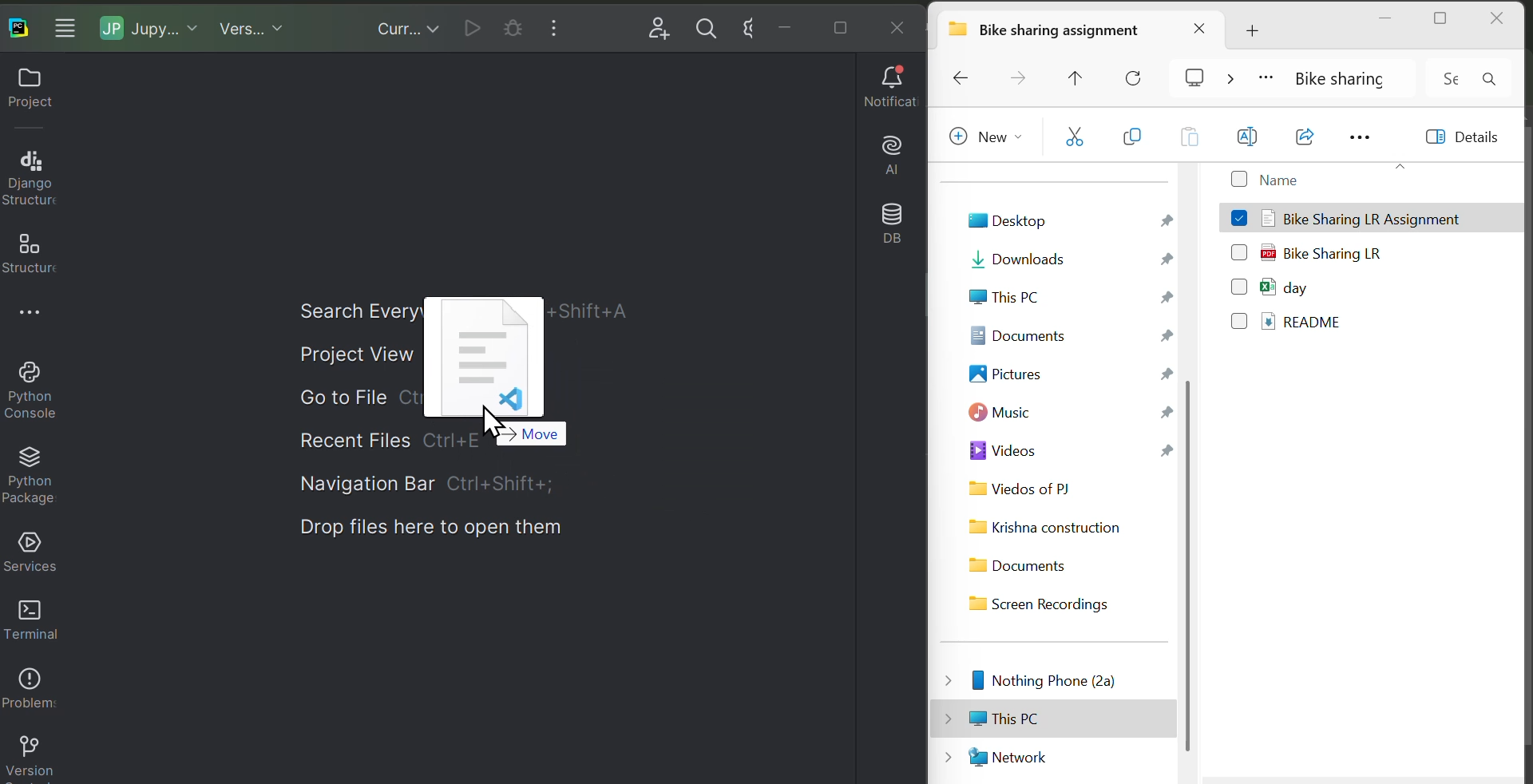  What do you see at coordinates (1133, 138) in the screenshot?
I see `copy` at bounding box center [1133, 138].